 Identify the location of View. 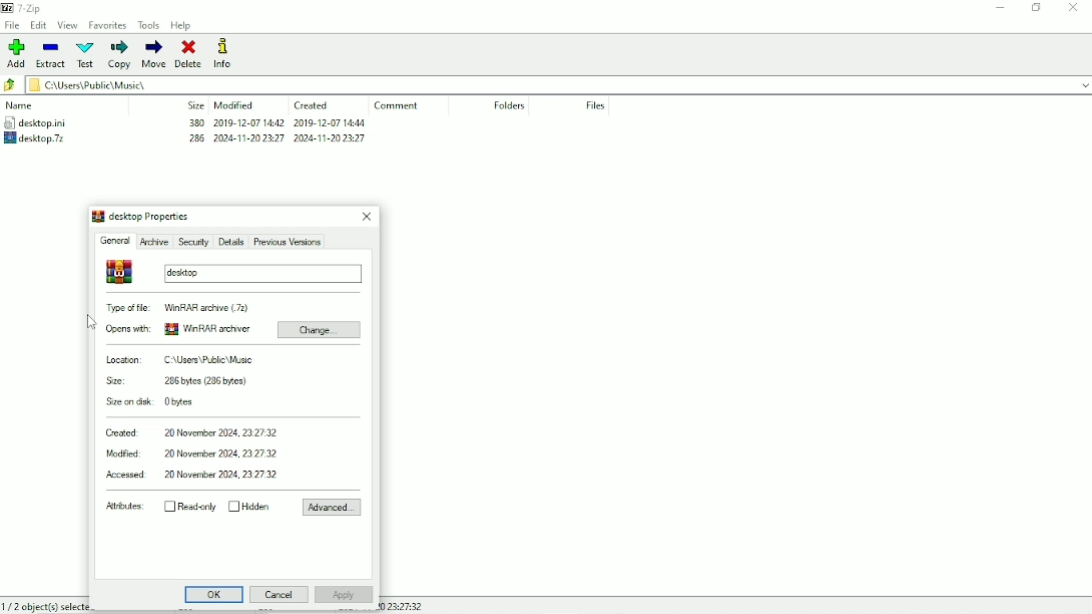
(69, 25).